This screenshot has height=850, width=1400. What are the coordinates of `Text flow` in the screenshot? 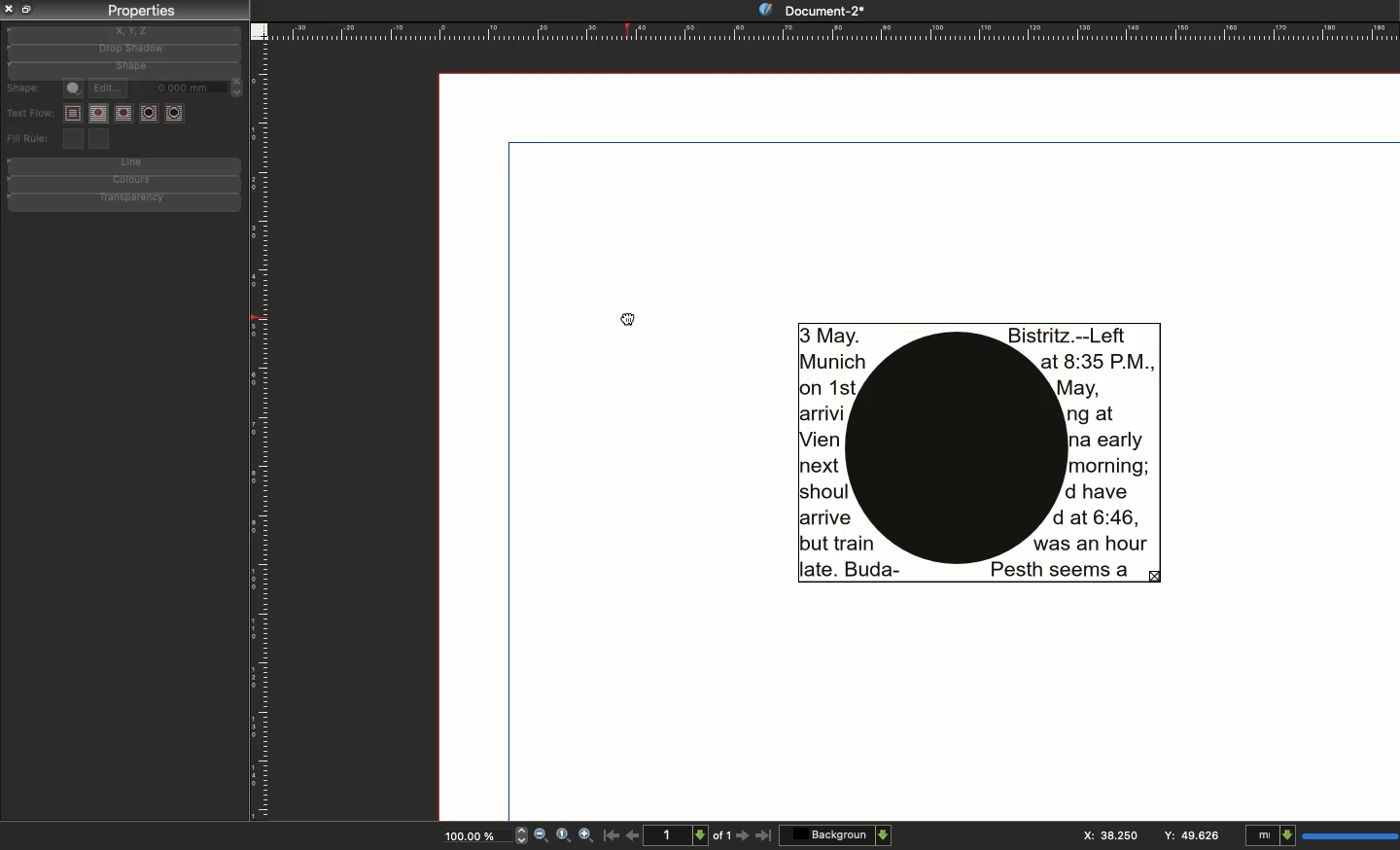 It's located at (29, 114).